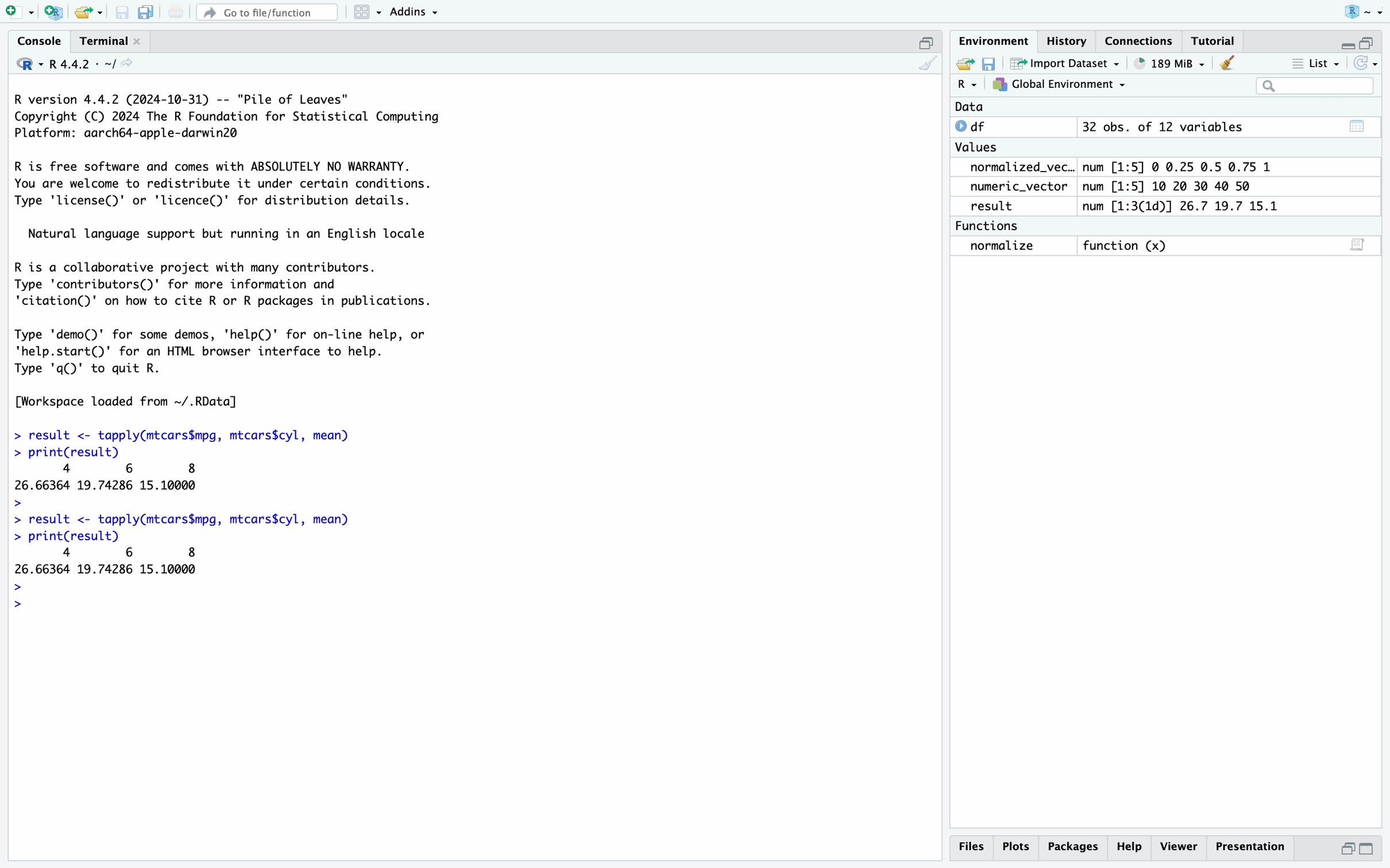 This screenshot has height=868, width=1390. I want to click on Export history logs, so click(964, 63).